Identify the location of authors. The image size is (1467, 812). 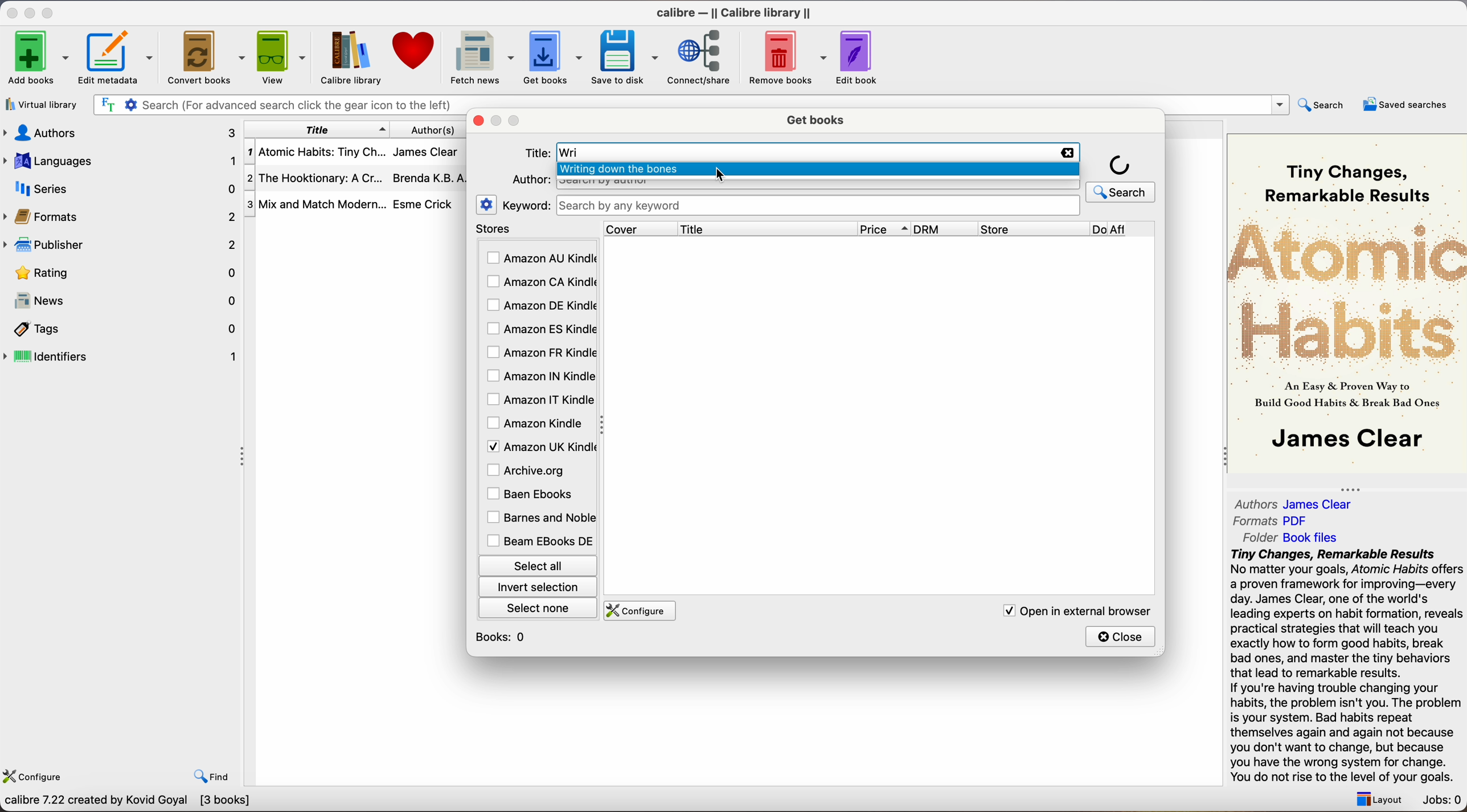
(118, 132).